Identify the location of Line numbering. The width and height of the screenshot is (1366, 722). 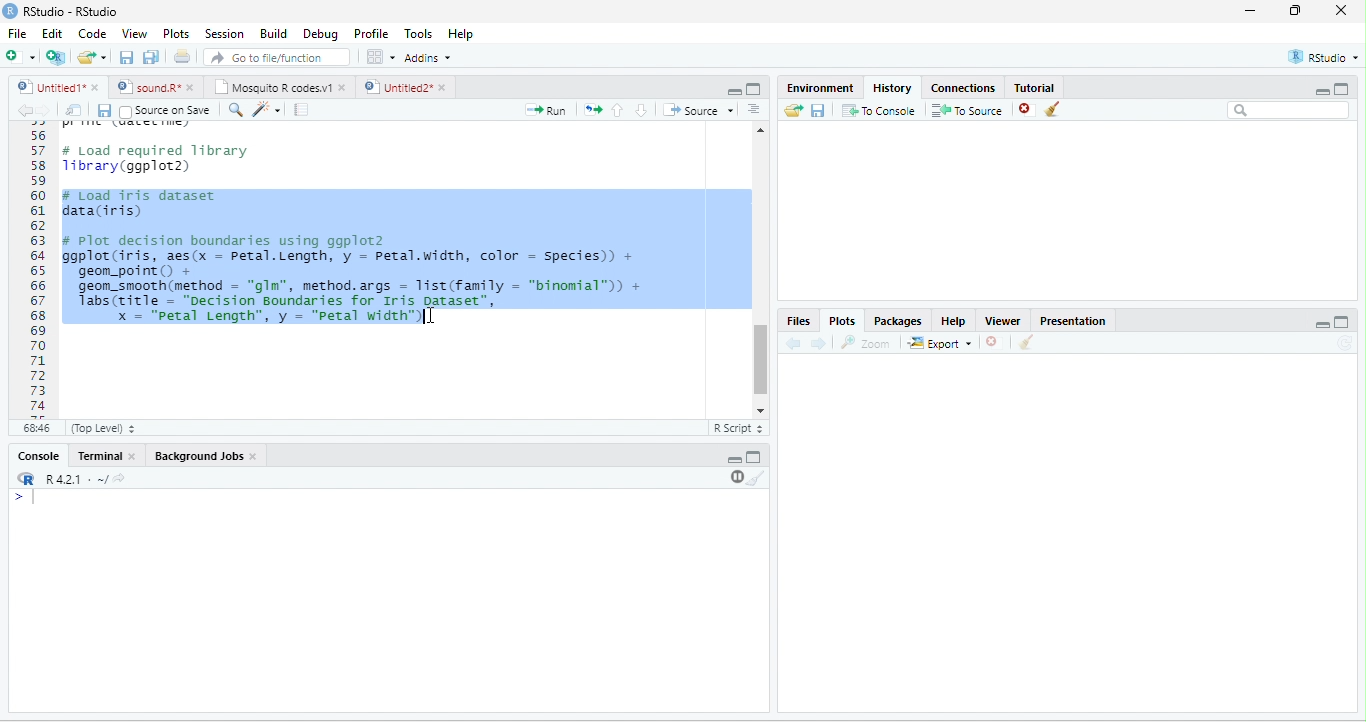
(37, 270).